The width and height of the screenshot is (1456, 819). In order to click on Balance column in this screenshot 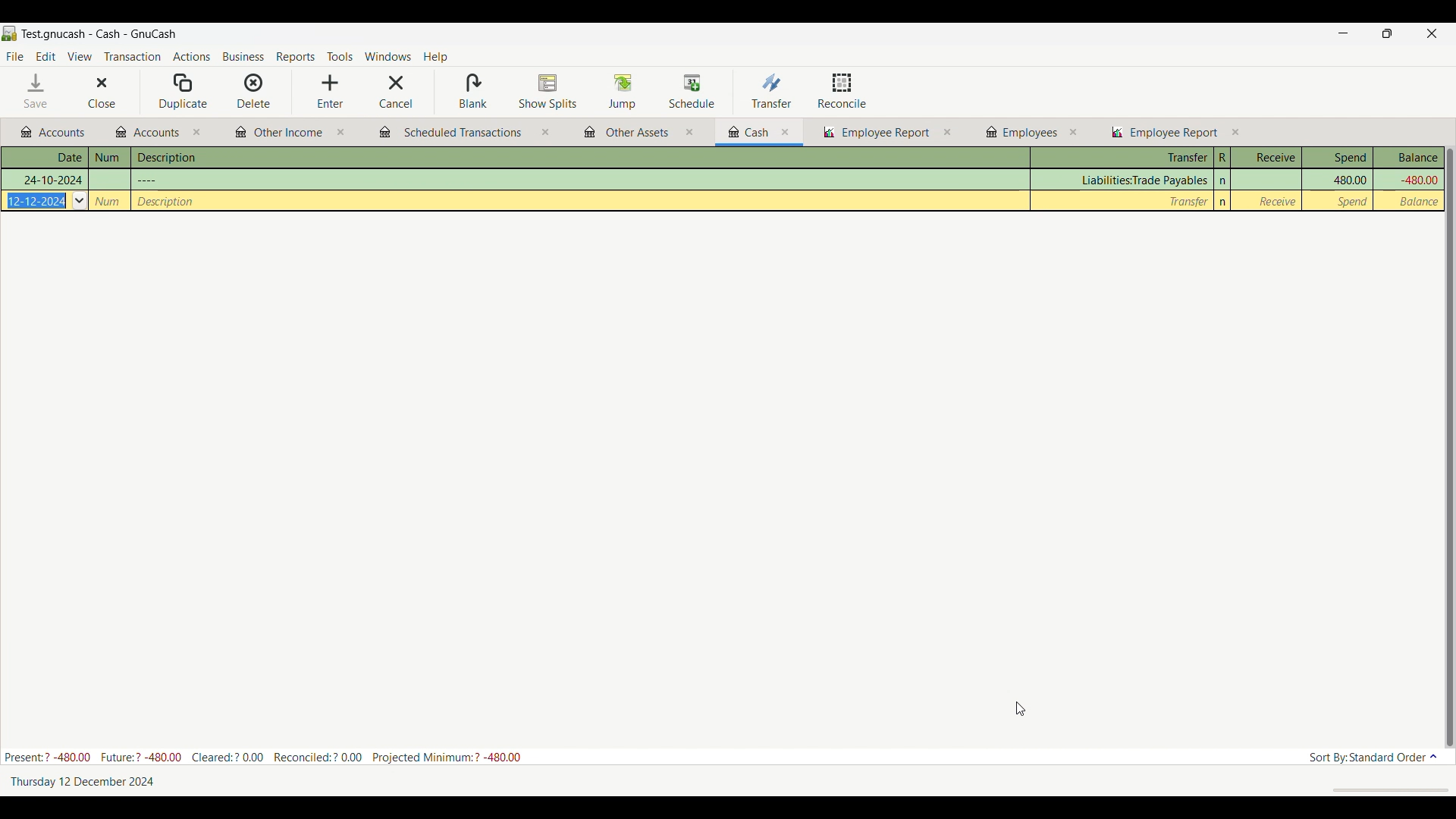, I will do `click(1421, 202)`.